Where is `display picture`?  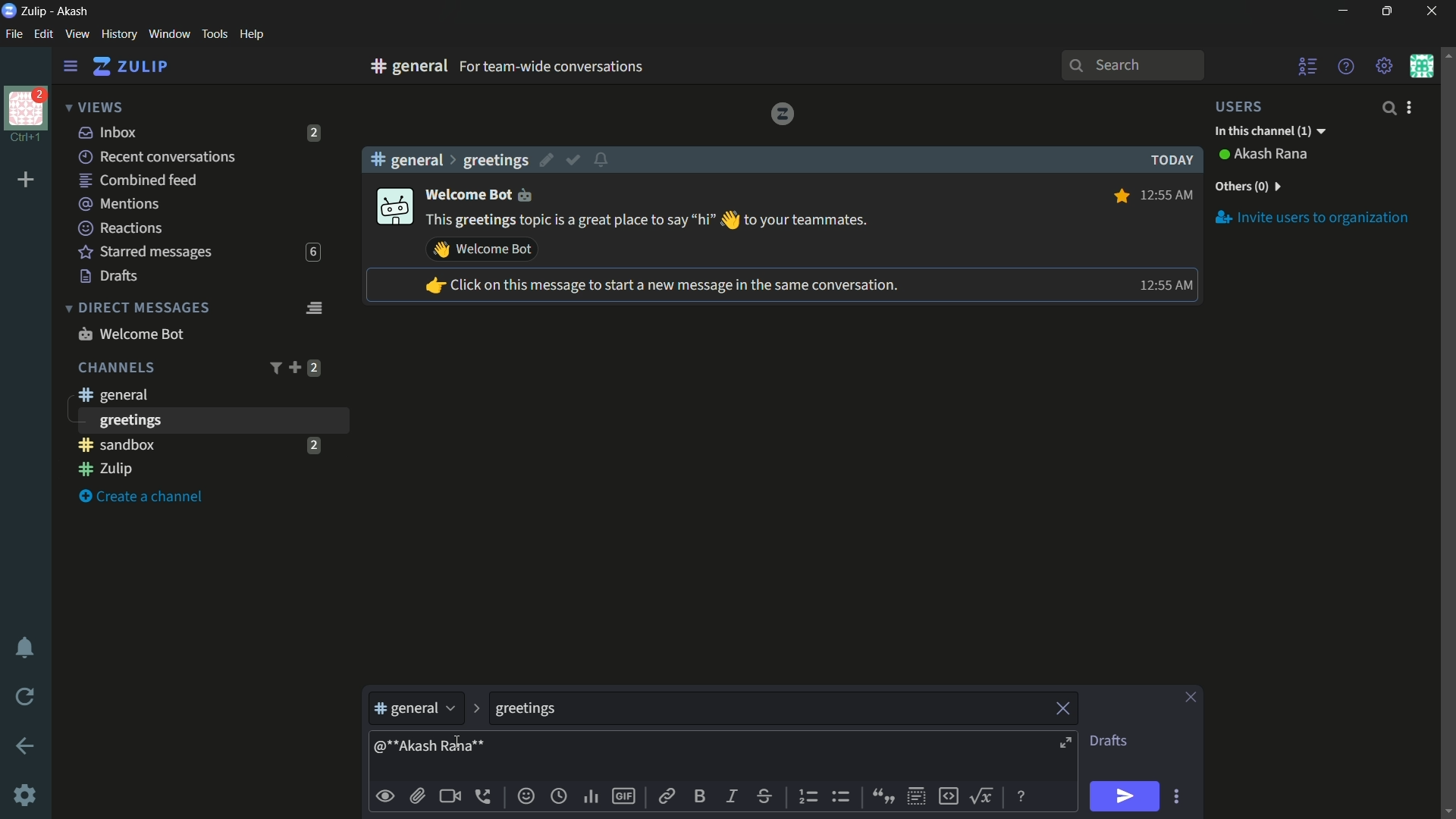
display picture is located at coordinates (393, 208).